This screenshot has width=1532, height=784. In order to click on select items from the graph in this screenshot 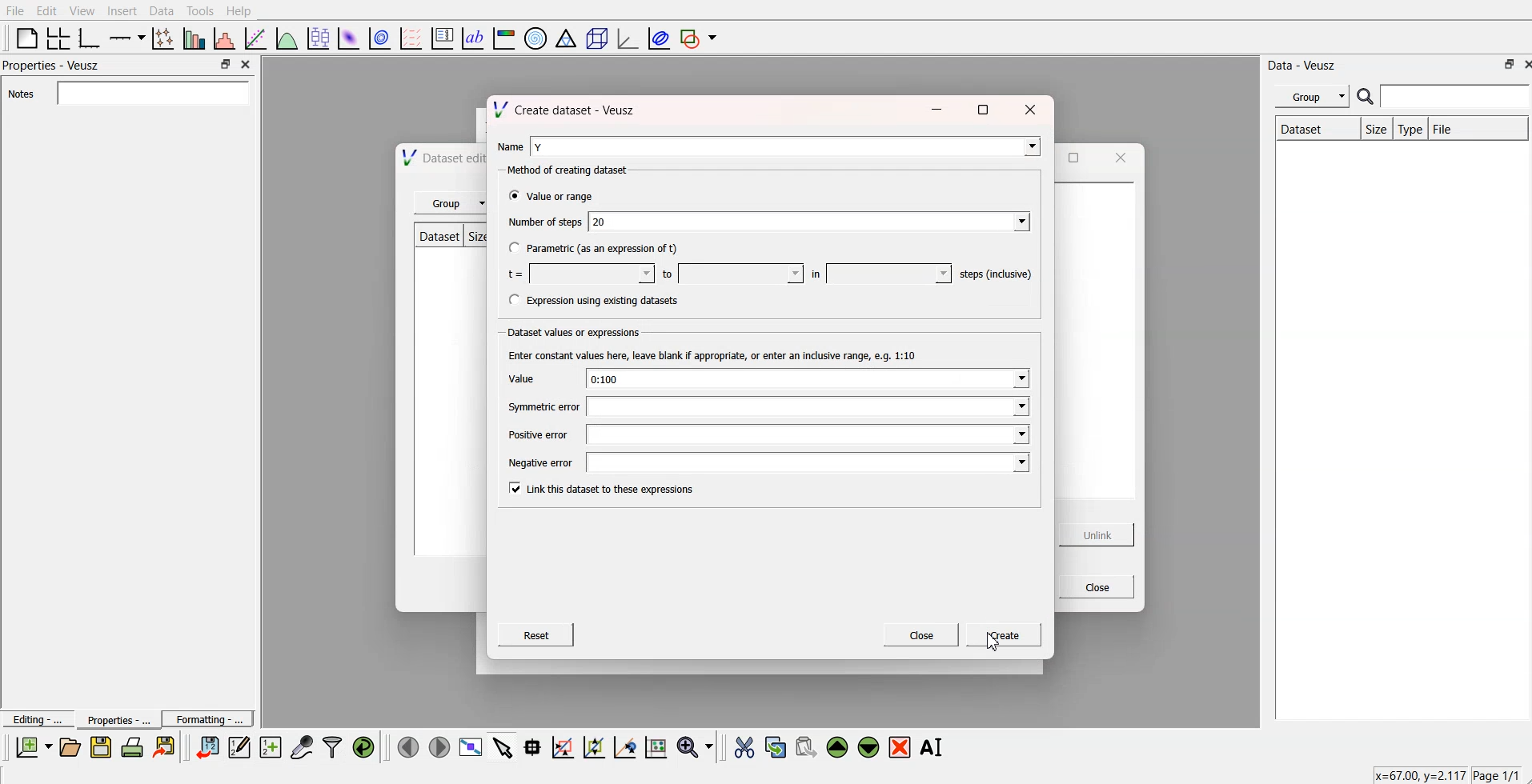, I will do `click(505, 746)`.